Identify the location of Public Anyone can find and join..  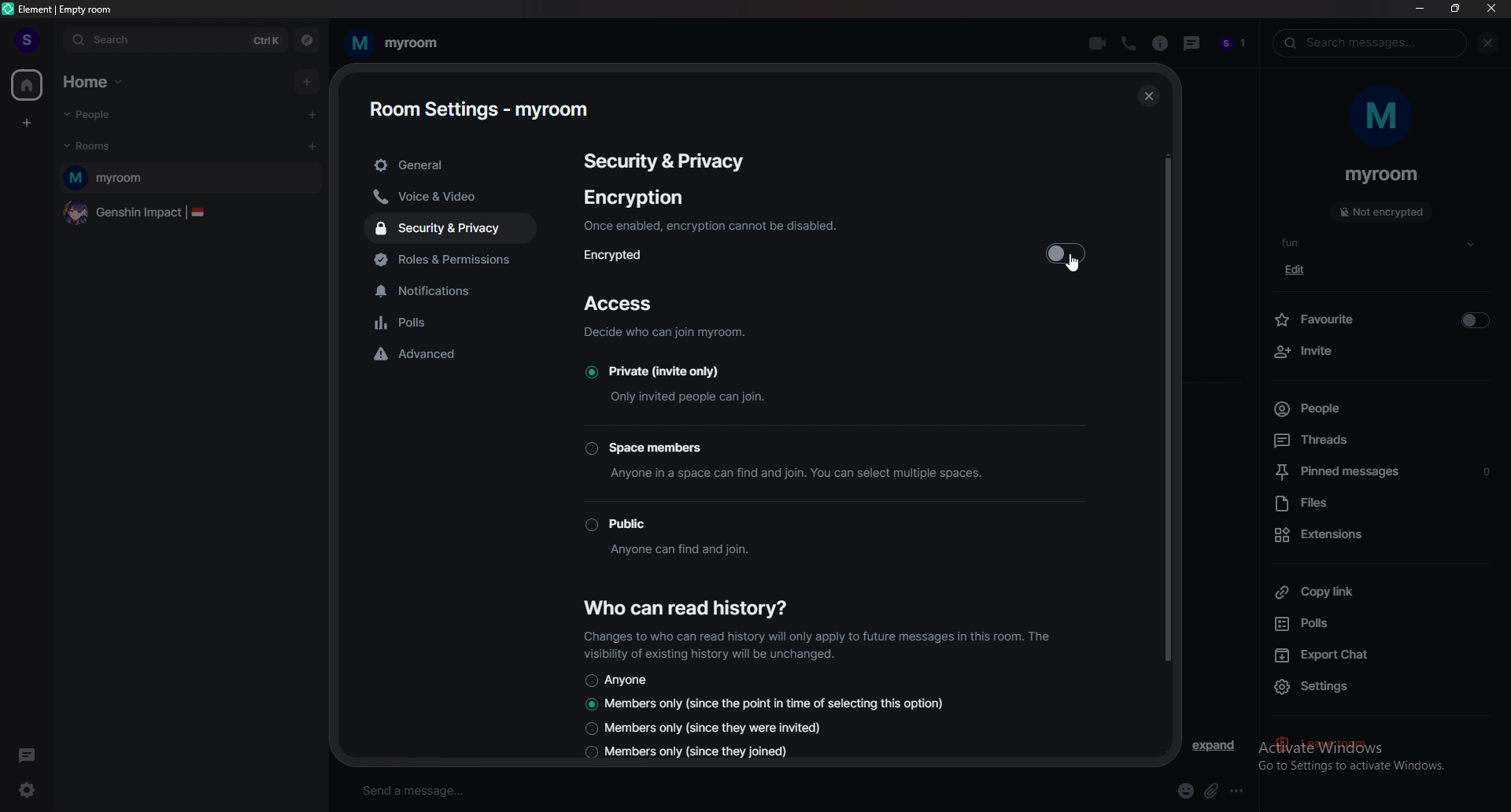
(707, 538).